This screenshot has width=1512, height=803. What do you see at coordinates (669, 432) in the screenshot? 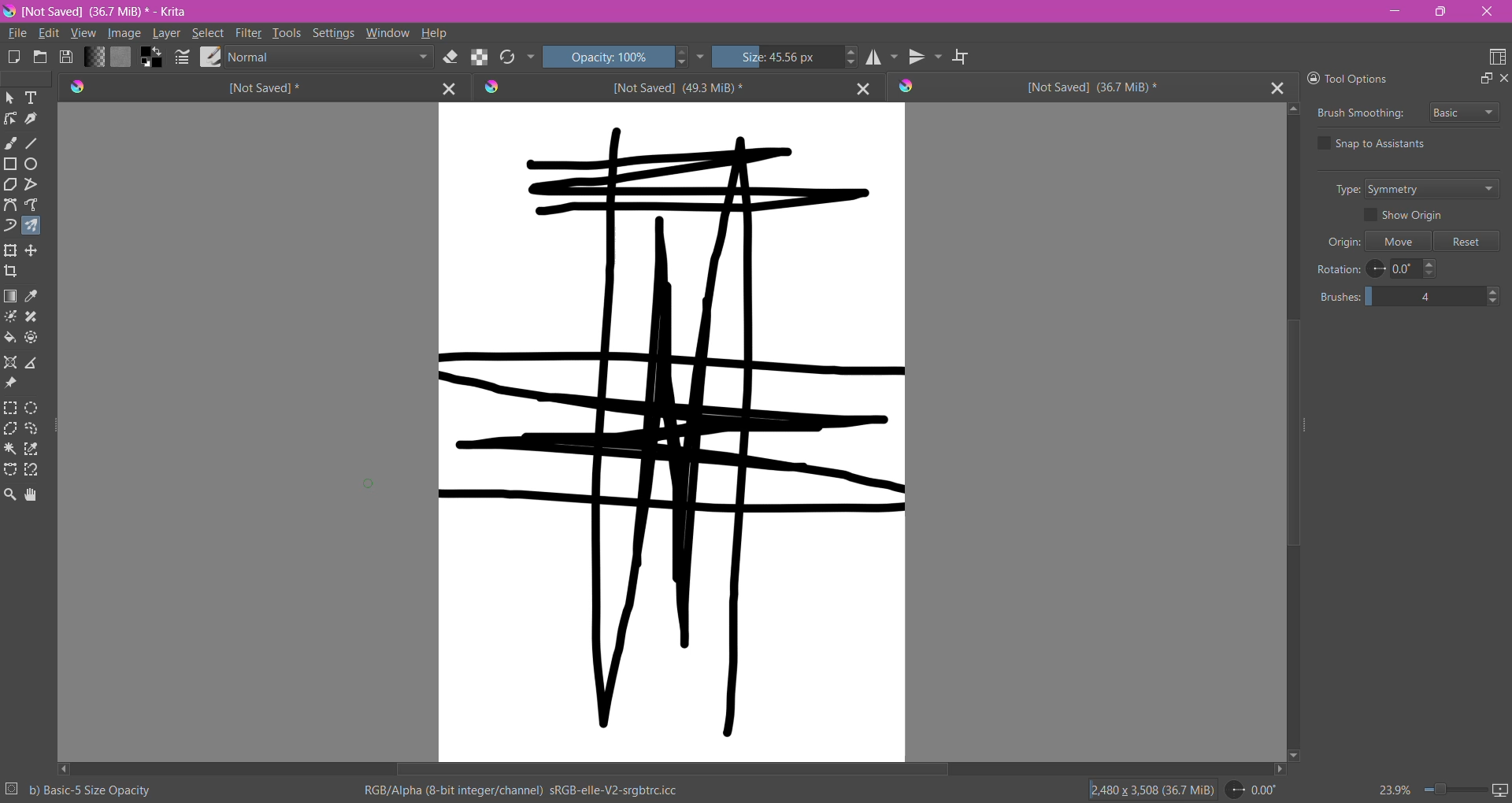
I see `Canvas with brushstrokes` at bounding box center [669, 432].